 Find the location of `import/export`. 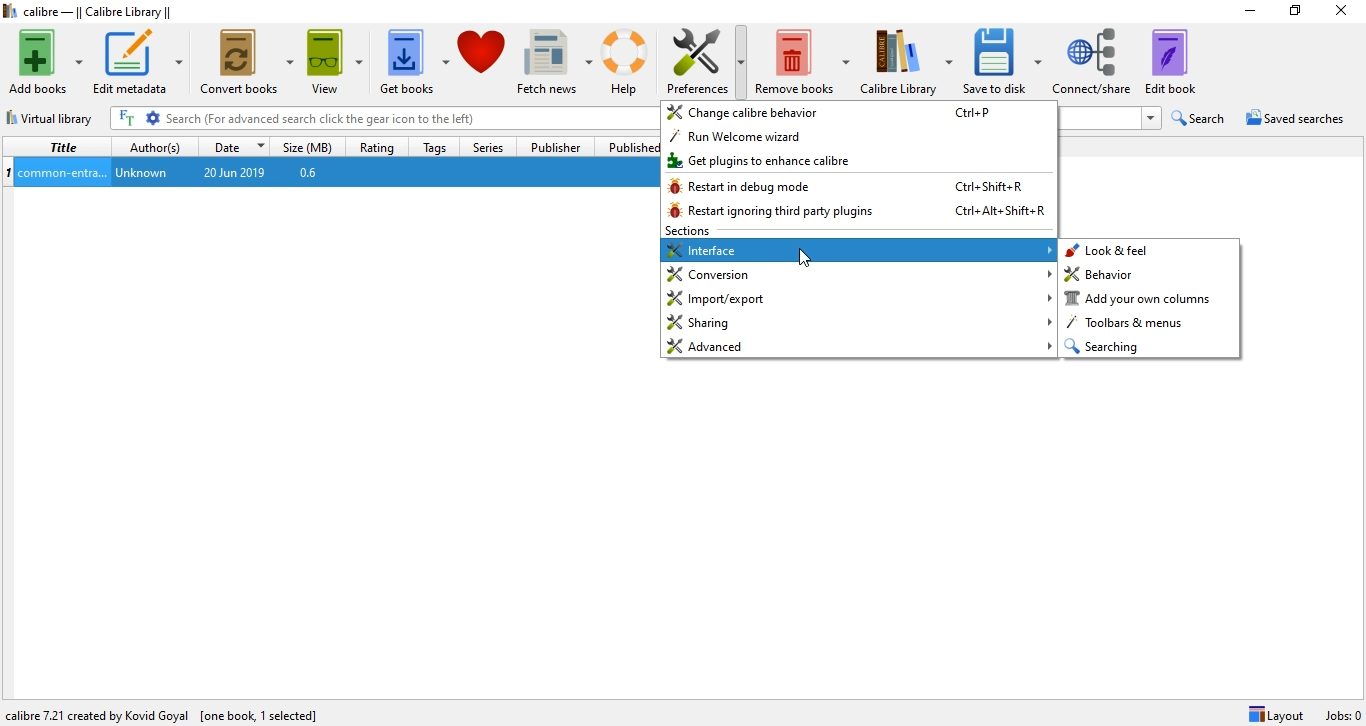

import/export is located at coordinates (859, 298).